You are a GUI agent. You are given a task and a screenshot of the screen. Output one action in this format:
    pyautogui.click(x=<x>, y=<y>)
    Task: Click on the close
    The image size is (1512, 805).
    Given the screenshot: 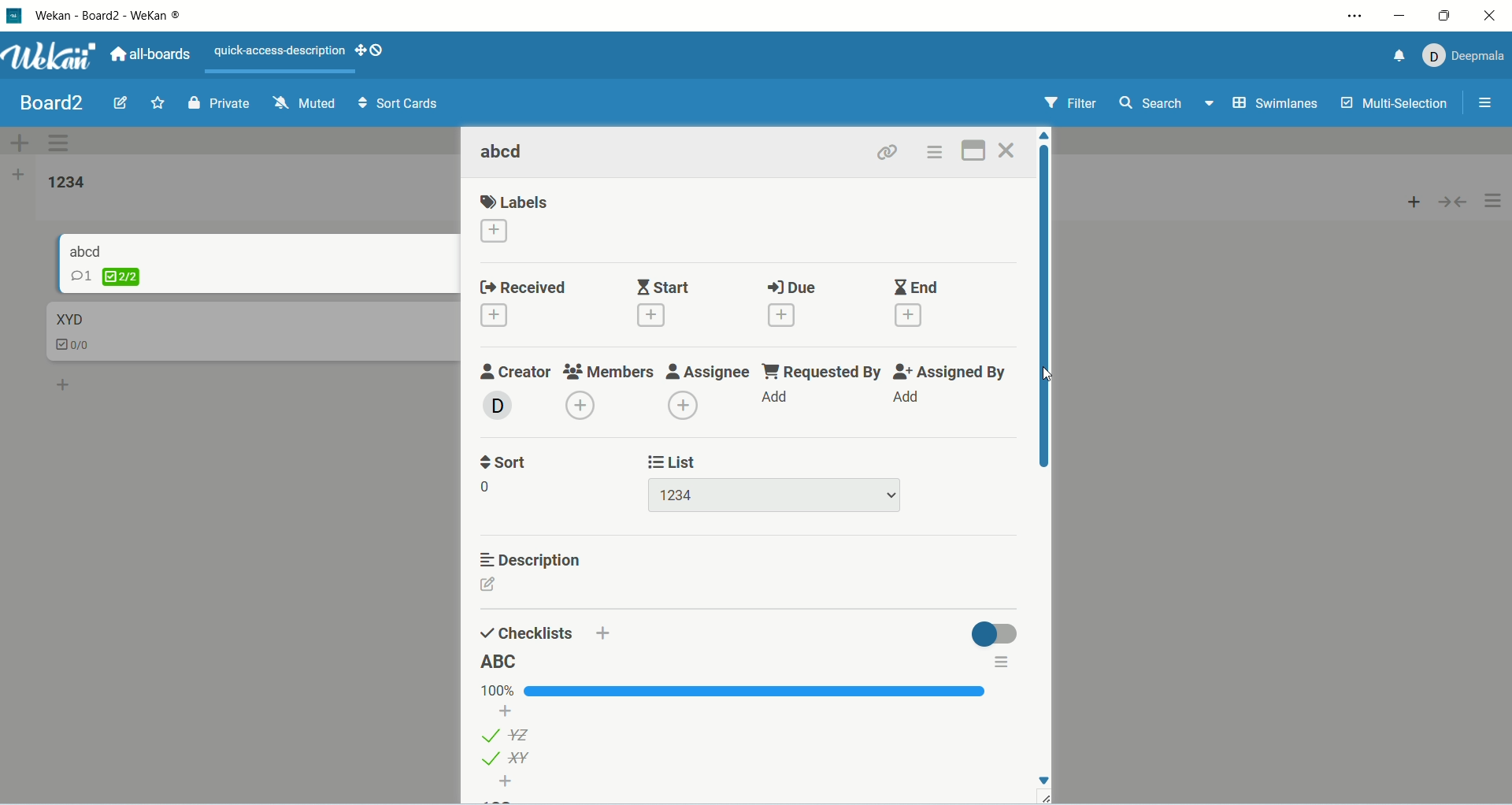 What is the action you would take?
    pyautogui.click(x=1008, y=150)
    